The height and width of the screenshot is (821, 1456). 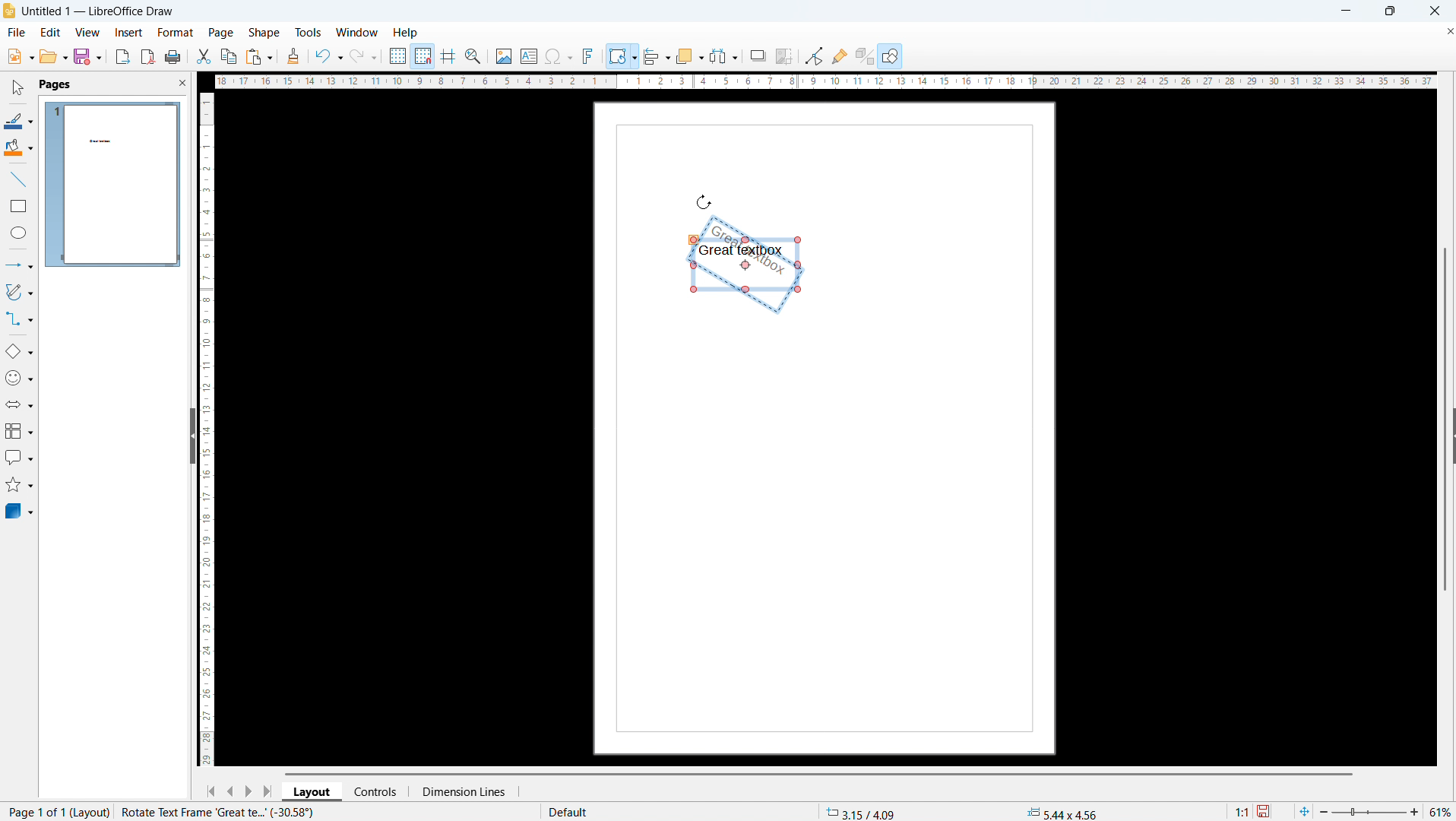 What do you see at coordinates (1447, 440) in the screenshot?
I see `Expand pane` at bounding box center [1447, 440].